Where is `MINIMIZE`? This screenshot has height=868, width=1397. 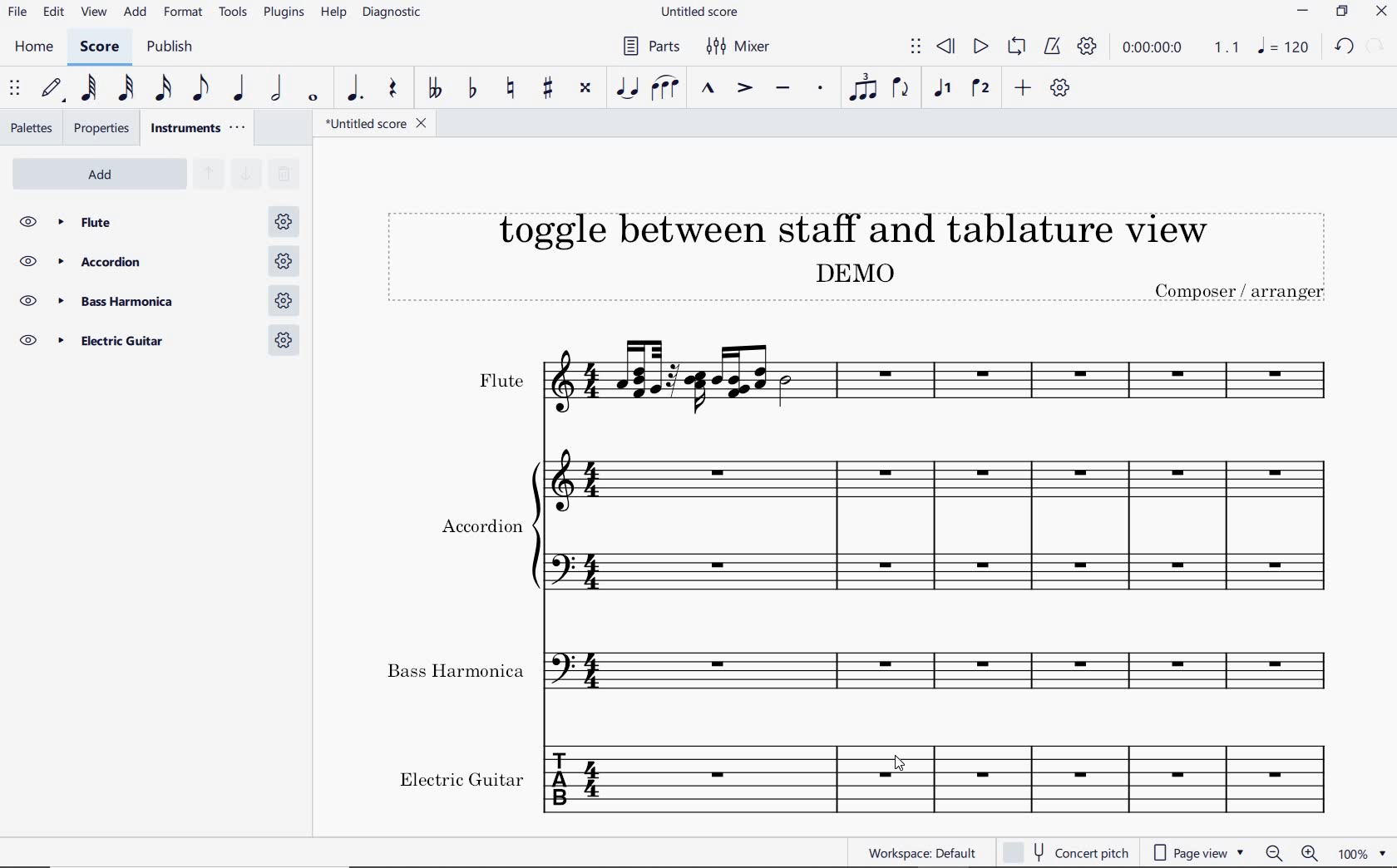
MINIMIZE is located at coordinates (1305, 13).